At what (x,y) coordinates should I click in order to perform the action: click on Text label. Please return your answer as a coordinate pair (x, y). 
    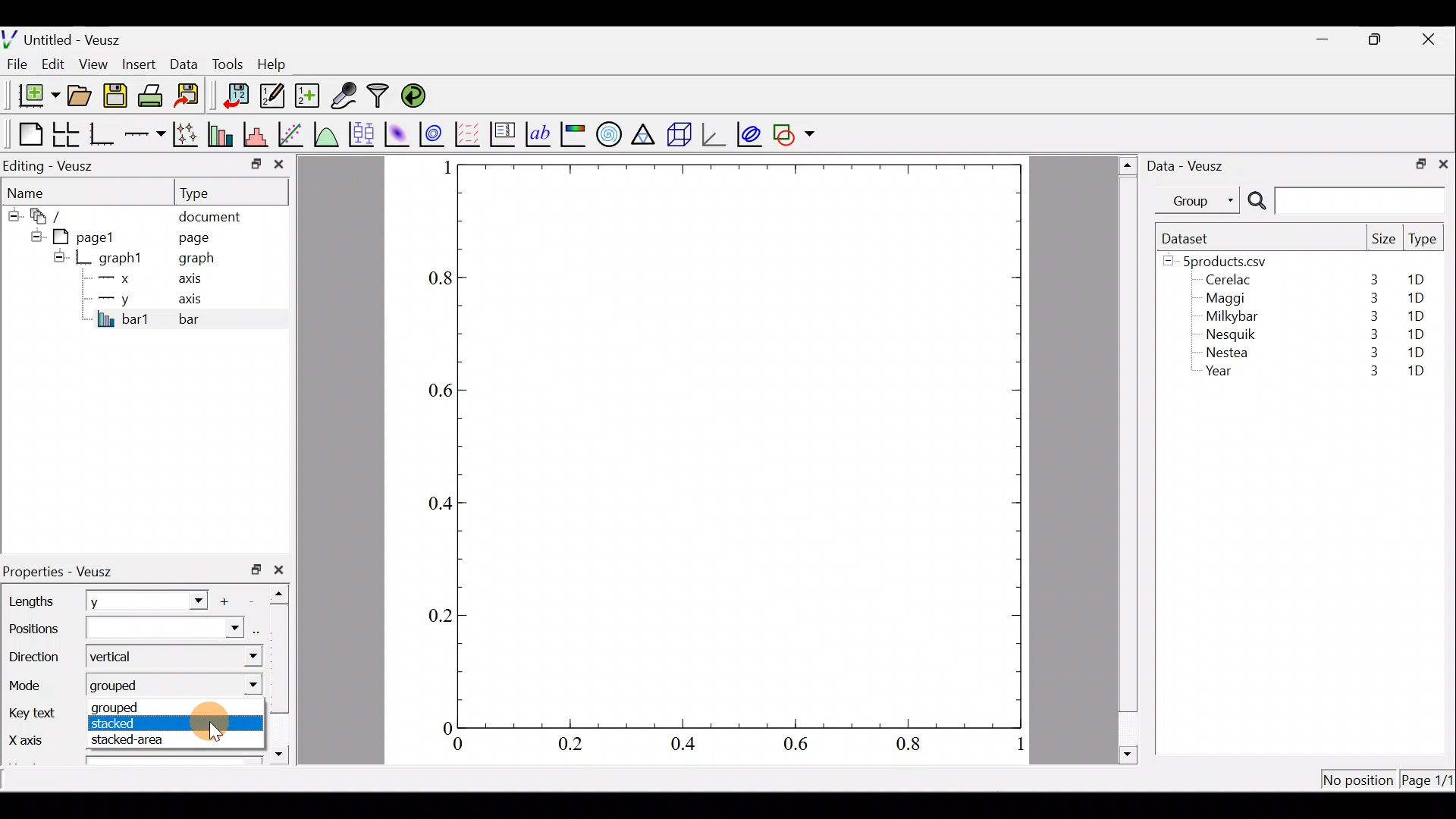
    Looking at the image, I should click on (540, 132).